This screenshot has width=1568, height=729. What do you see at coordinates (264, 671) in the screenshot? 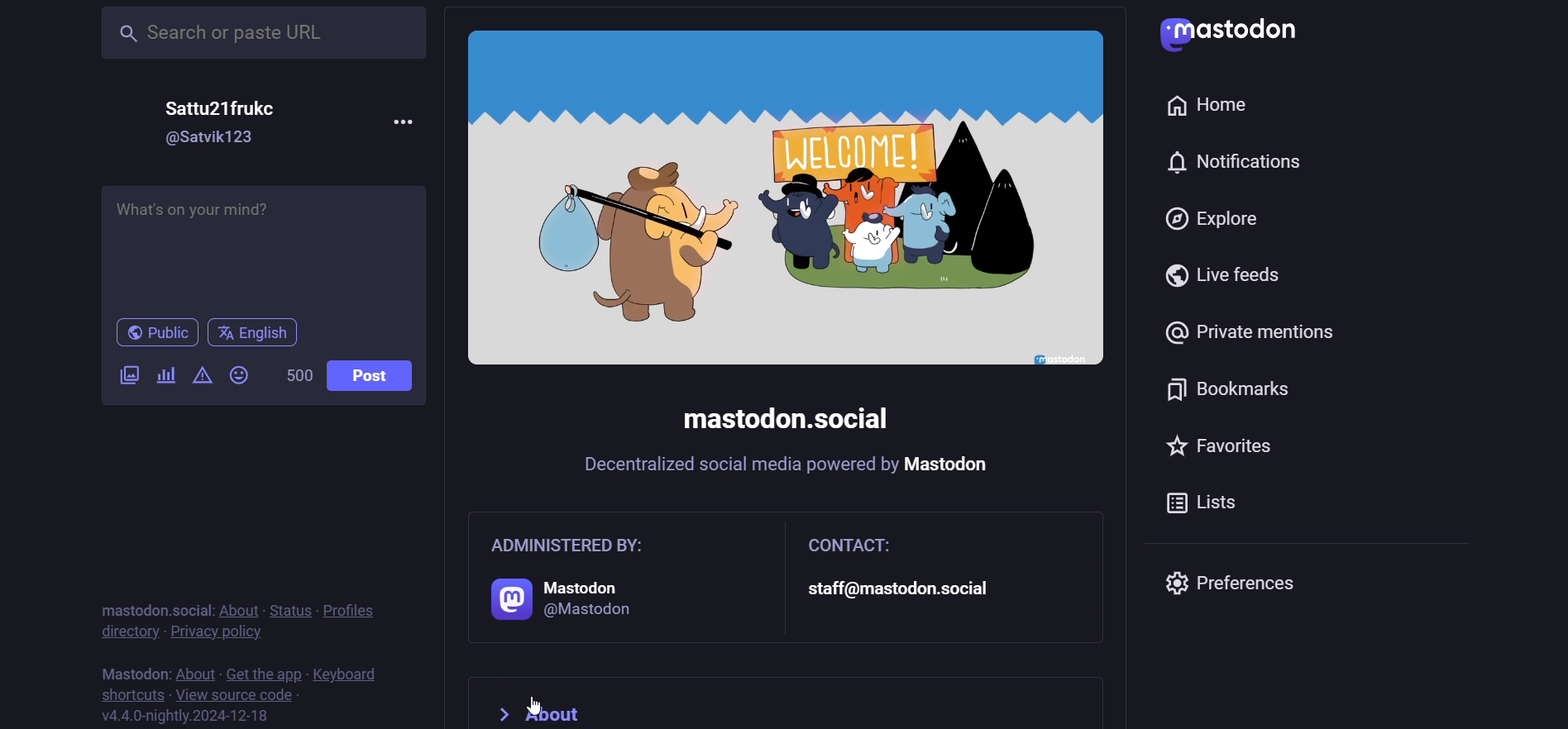
I see `get the app` at bounding box center [264, 671].